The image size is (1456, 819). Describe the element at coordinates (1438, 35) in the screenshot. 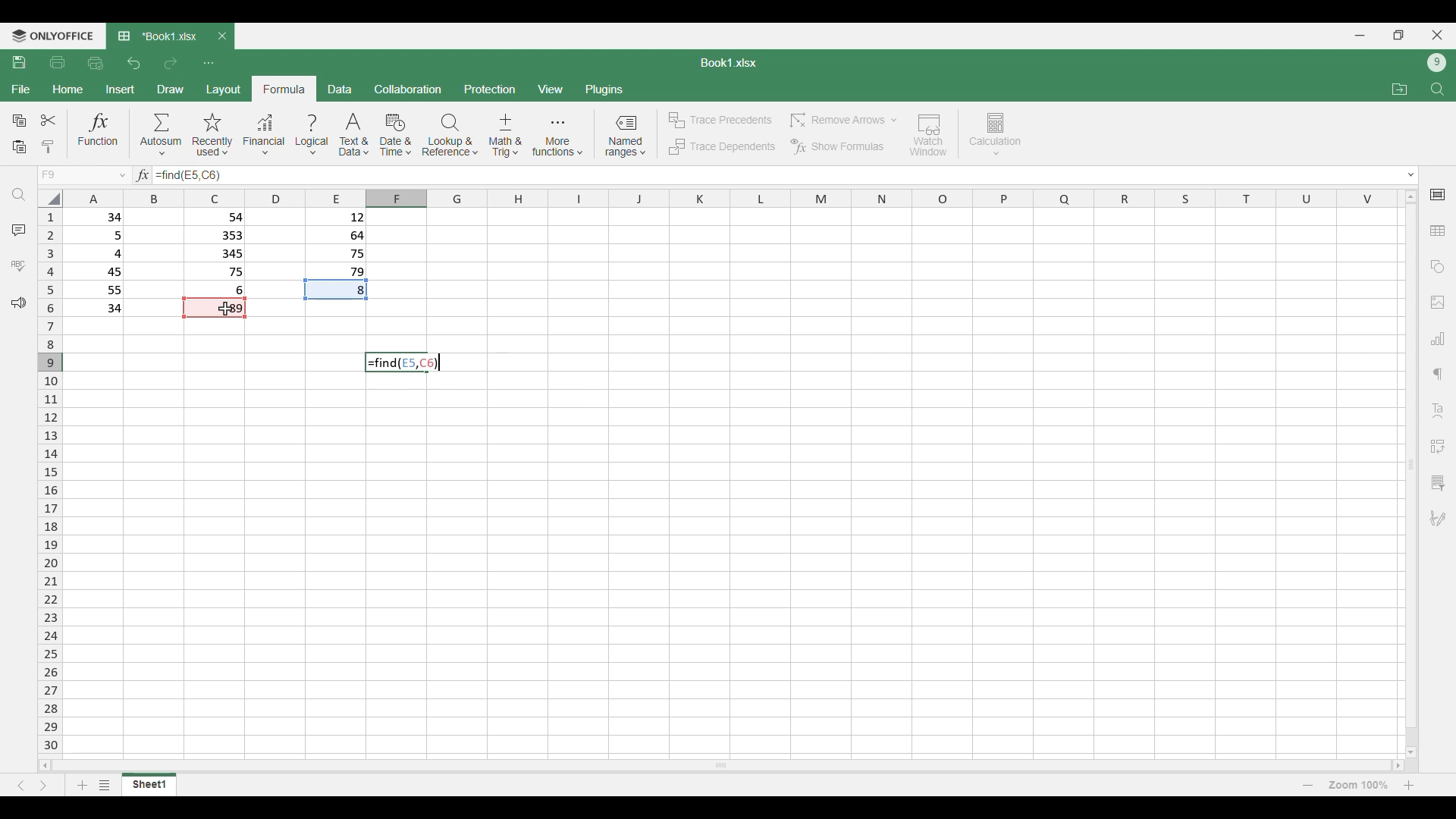

I see `Close interface` at that location.